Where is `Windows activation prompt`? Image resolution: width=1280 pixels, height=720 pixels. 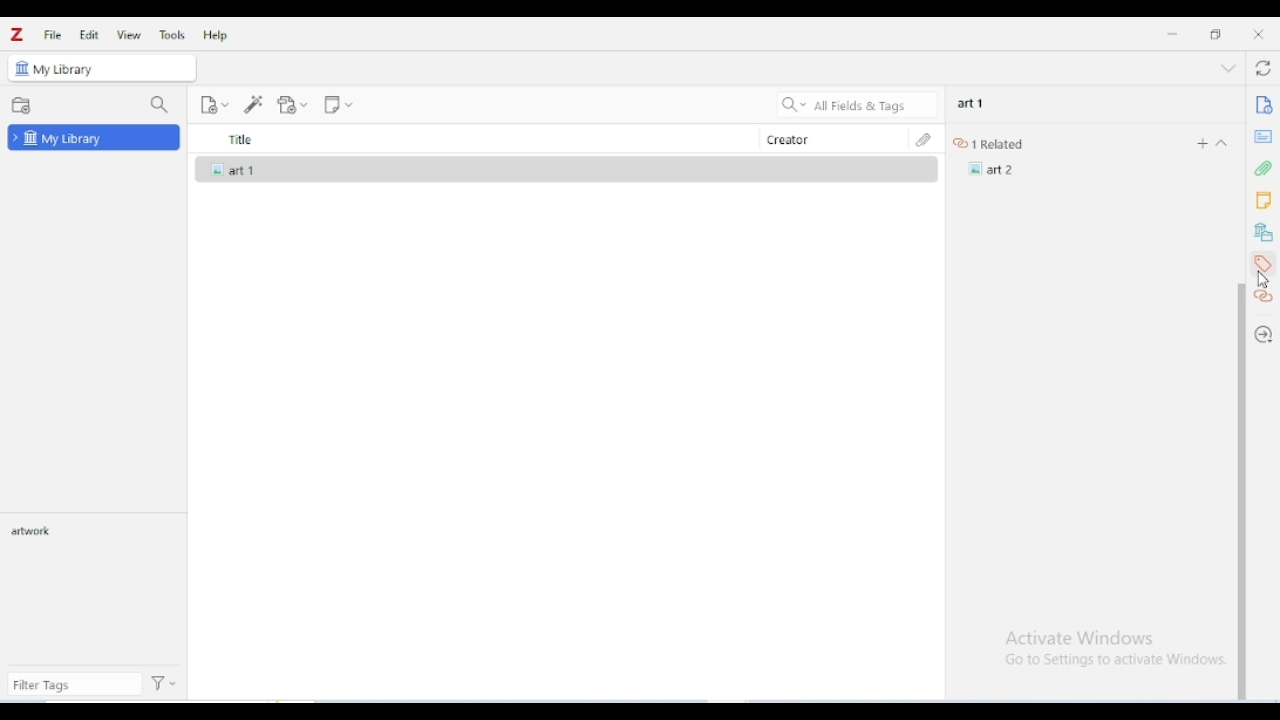 Windows activation prompt is located at coordinates (1104, 647).